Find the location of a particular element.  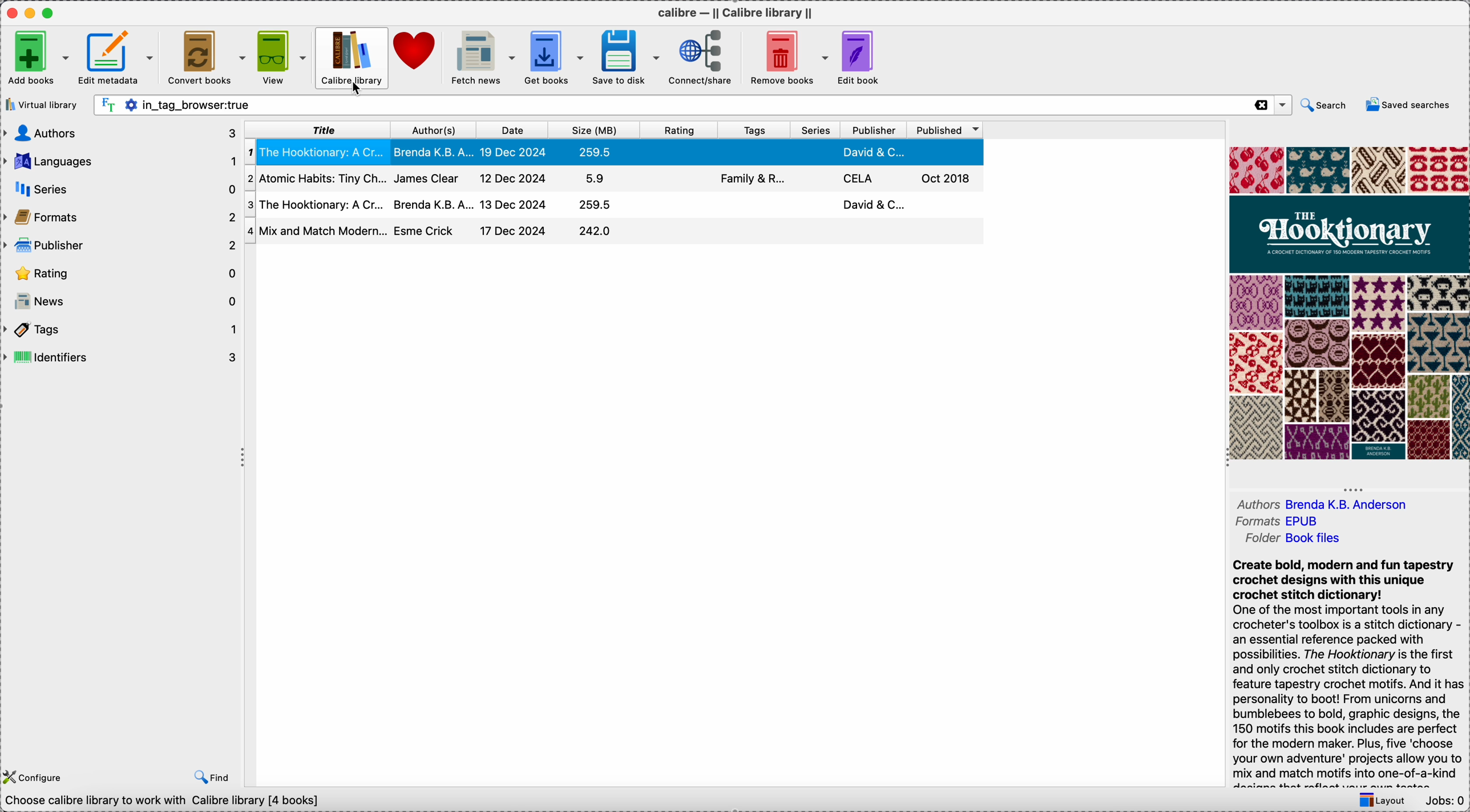

save to disk is located at coordinates (627, 58).